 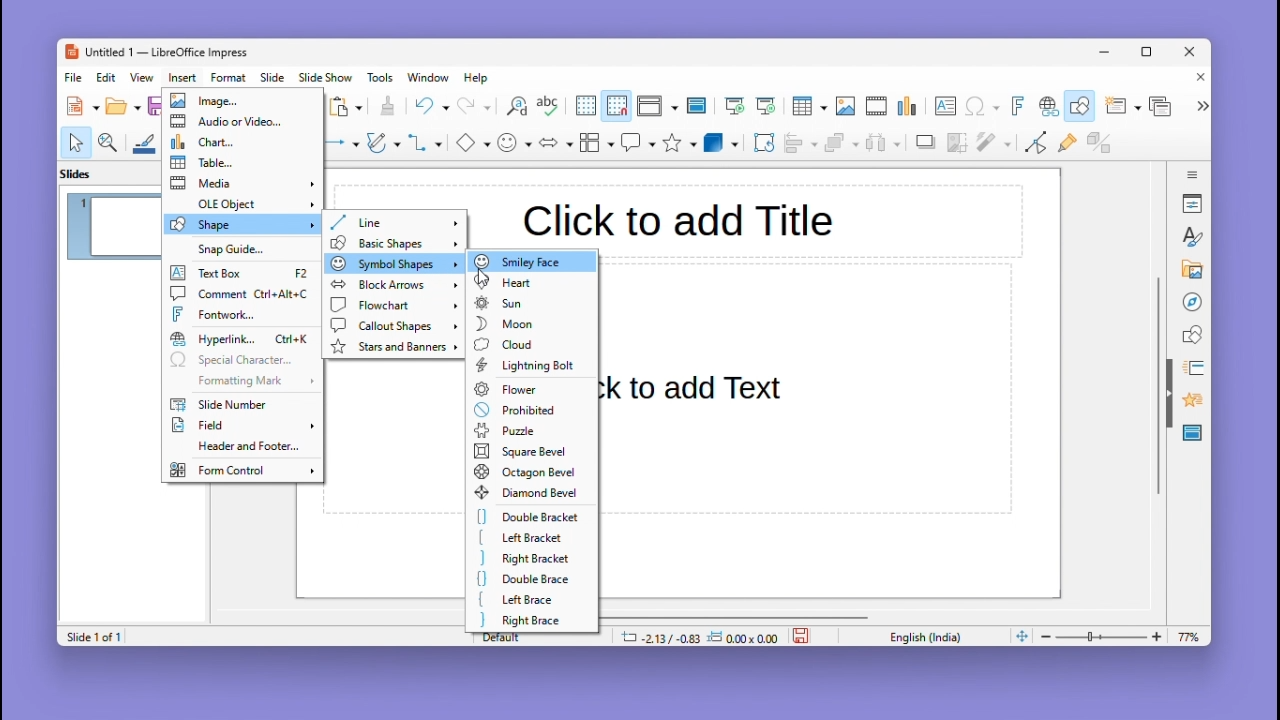 What do you see at coordinates (472, 143) in the screenshot?
I see `Diamond` at bounding box center [472, 143].